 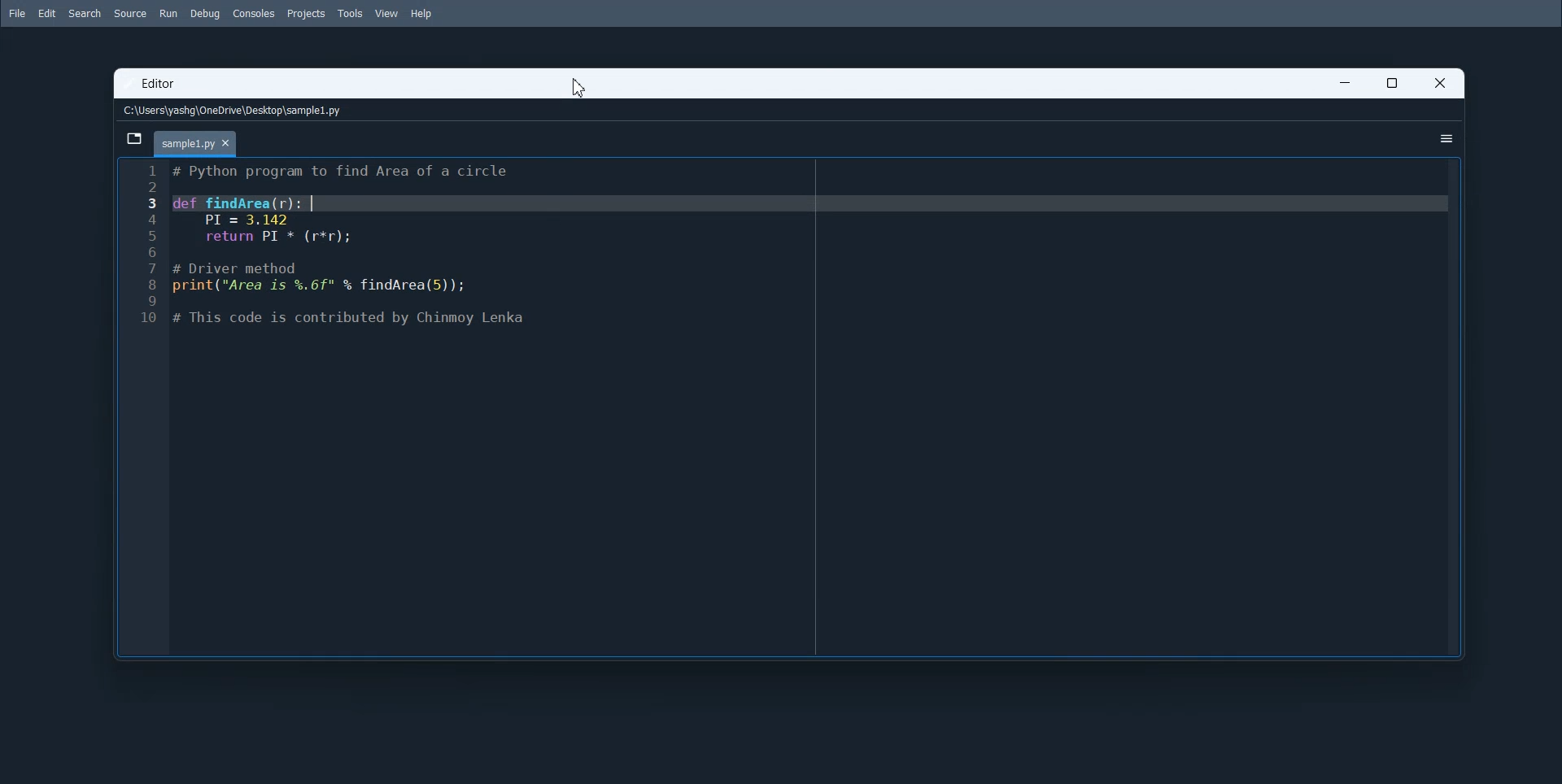 What do you see at coordinates (131, 14) in the screenshot?
I see `Source` at bounding box center [131, 14].